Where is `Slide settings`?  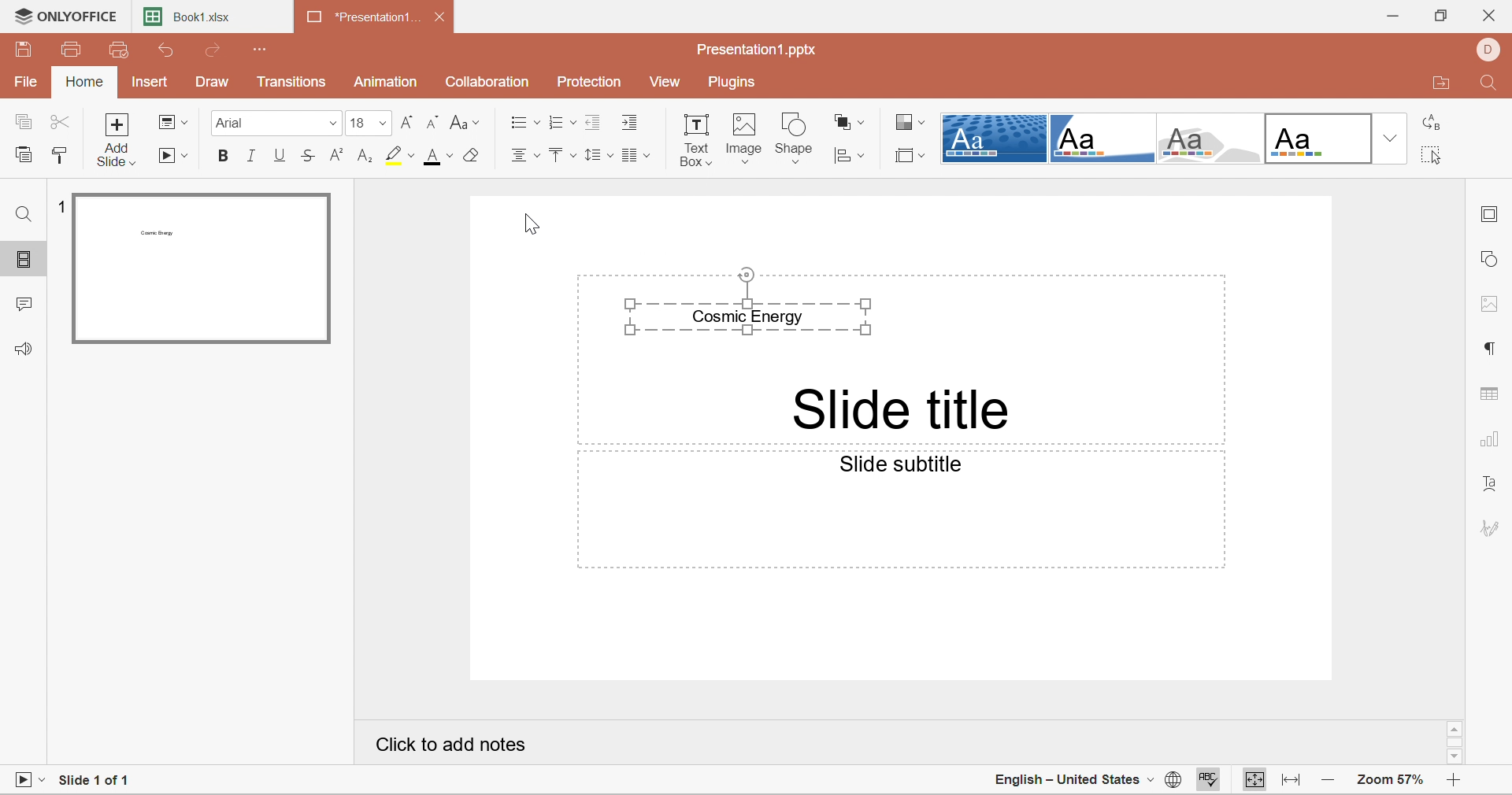 Slide settings is located at coordinates (1490, 217).